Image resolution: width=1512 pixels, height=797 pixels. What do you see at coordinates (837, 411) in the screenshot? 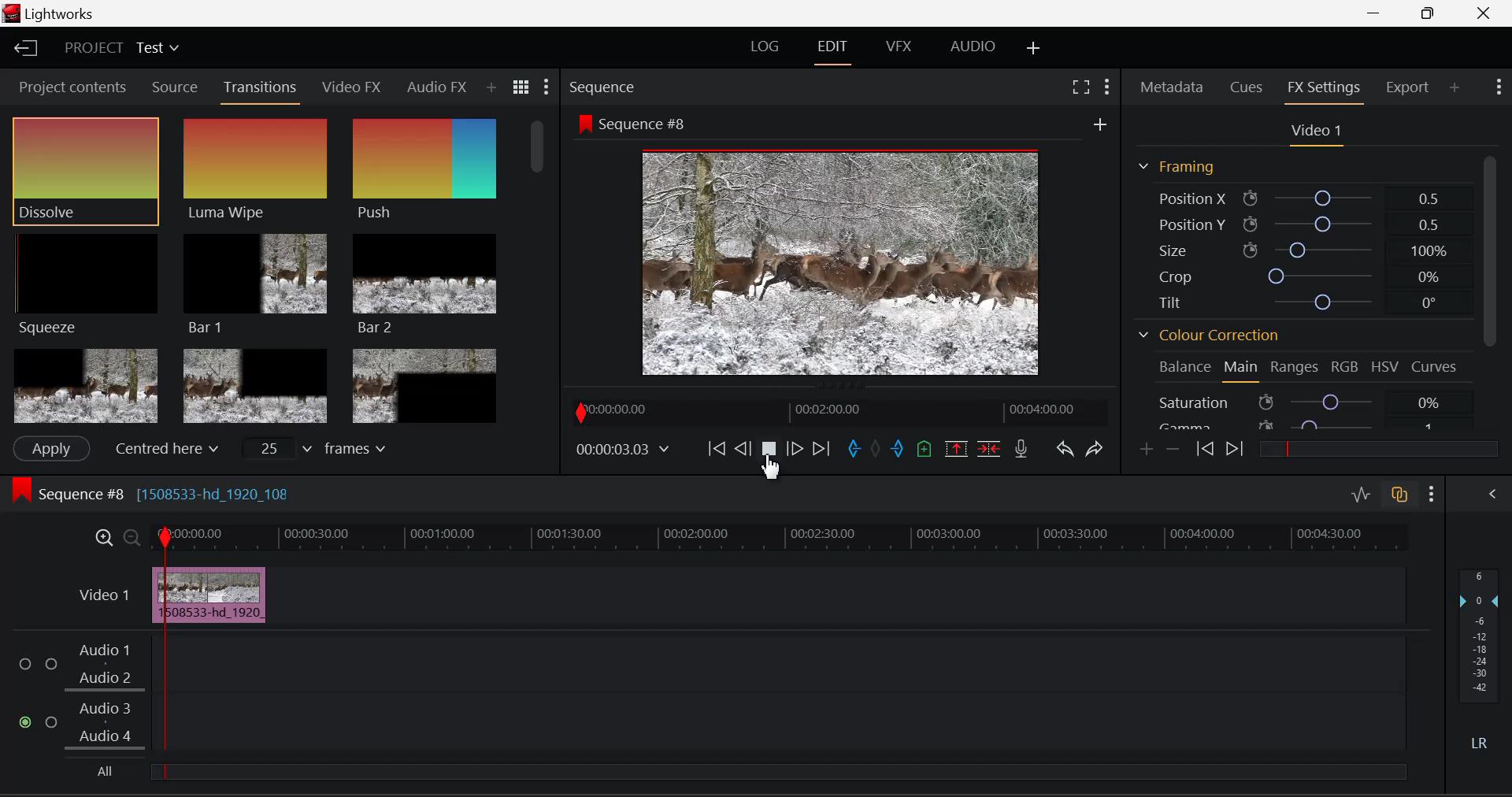
I see `Project Timeline Navigator` at bounding box center [837, 411].